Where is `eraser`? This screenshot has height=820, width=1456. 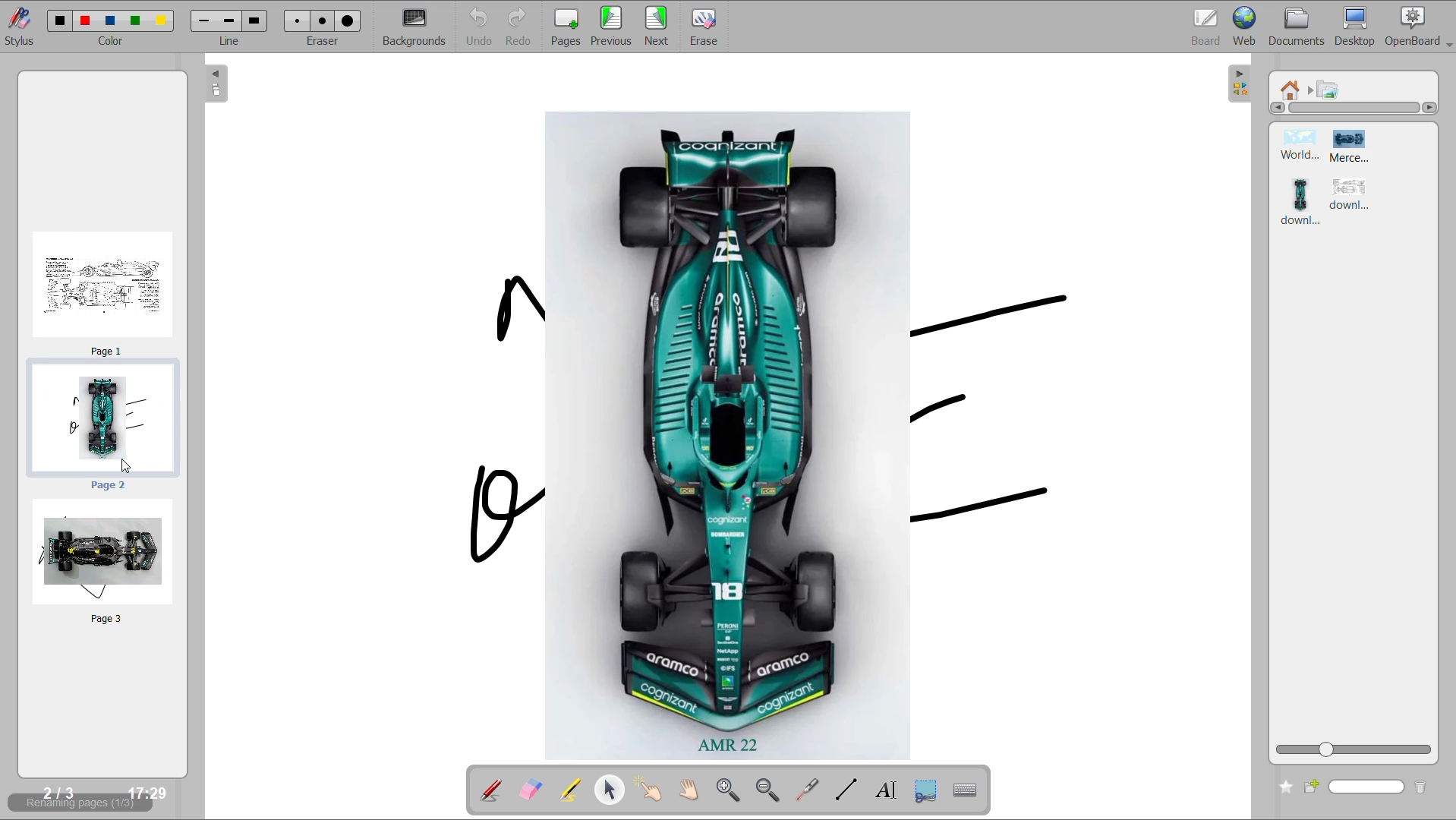 eraser is located at coordinates (326, 43).